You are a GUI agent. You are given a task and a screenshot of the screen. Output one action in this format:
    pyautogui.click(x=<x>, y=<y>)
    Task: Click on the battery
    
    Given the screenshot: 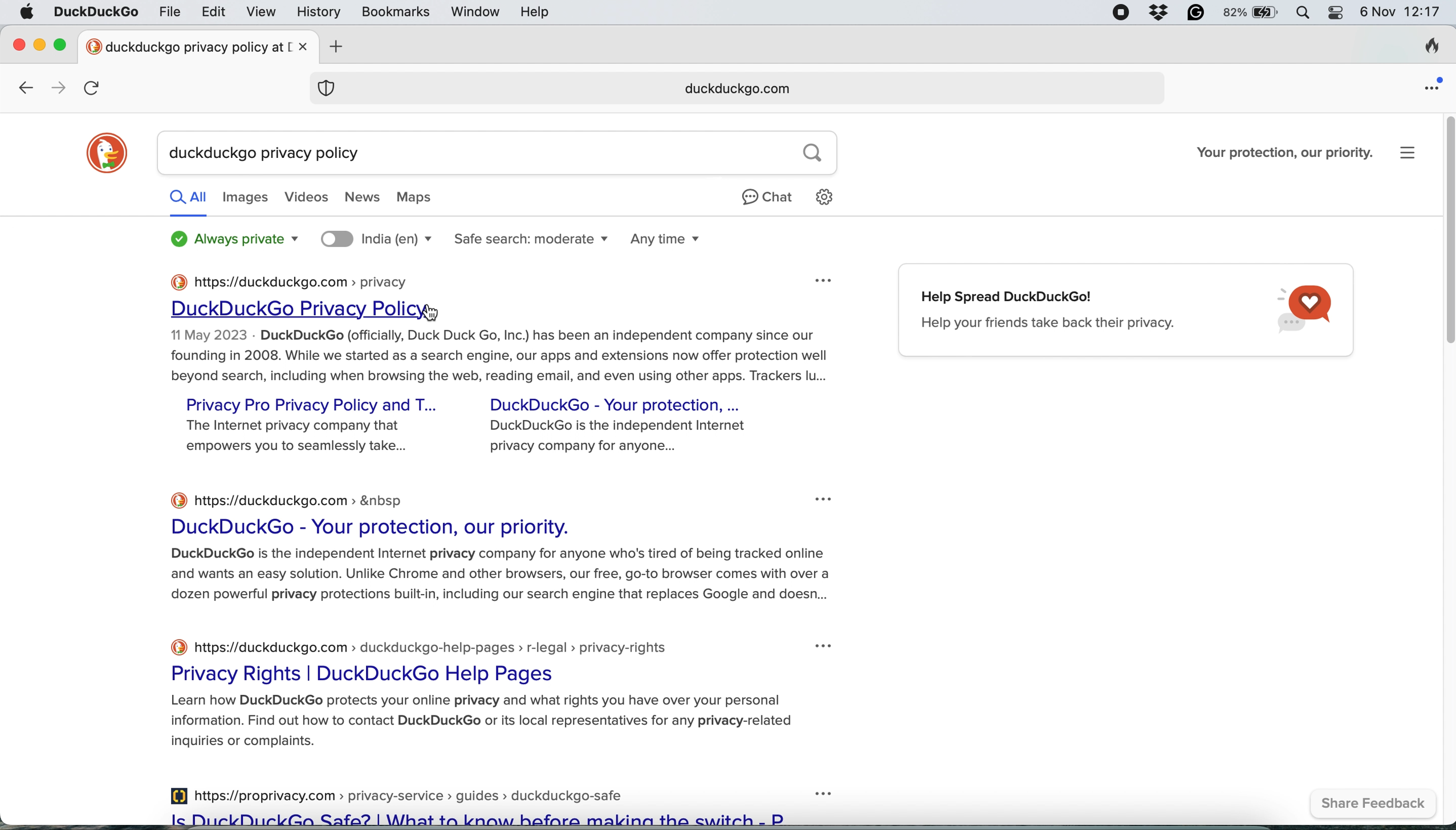 What is the action you would take?
    pyautogui.click(x=1250, y=12)
    